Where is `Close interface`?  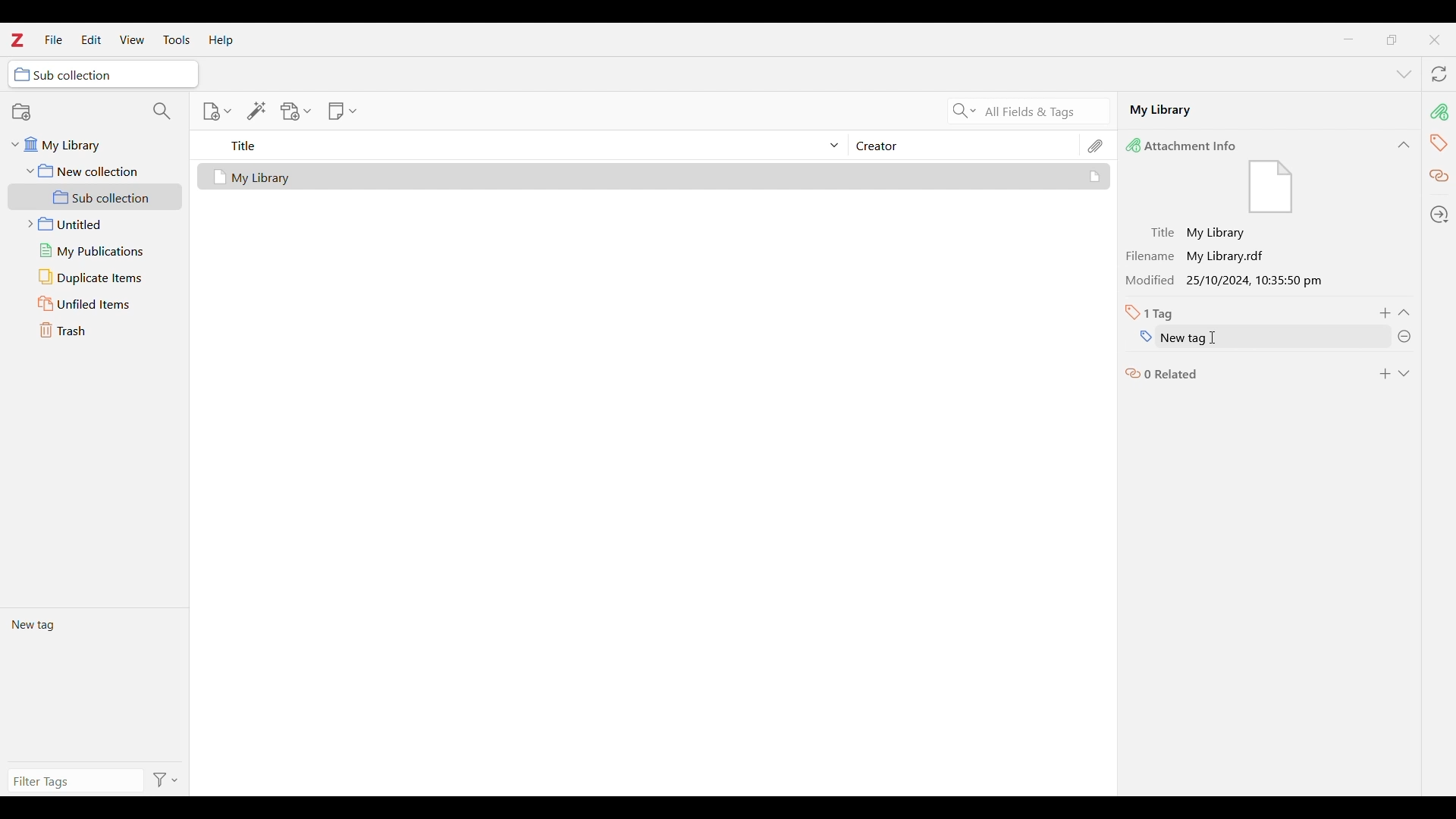 Close interface is located at coordinates (1434, 39).